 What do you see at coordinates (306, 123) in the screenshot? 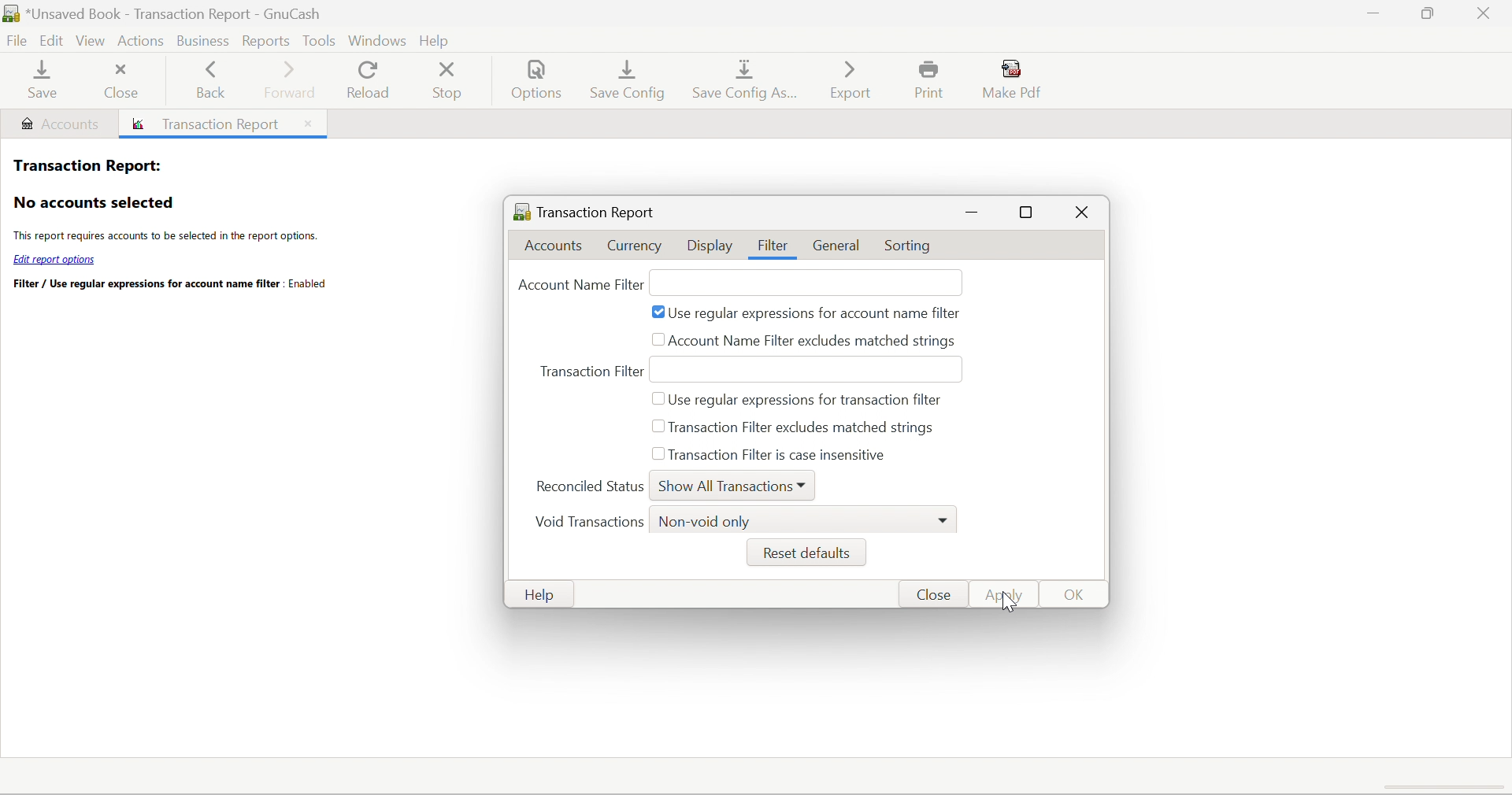
I see `Close` at bounding box center [306, 123].